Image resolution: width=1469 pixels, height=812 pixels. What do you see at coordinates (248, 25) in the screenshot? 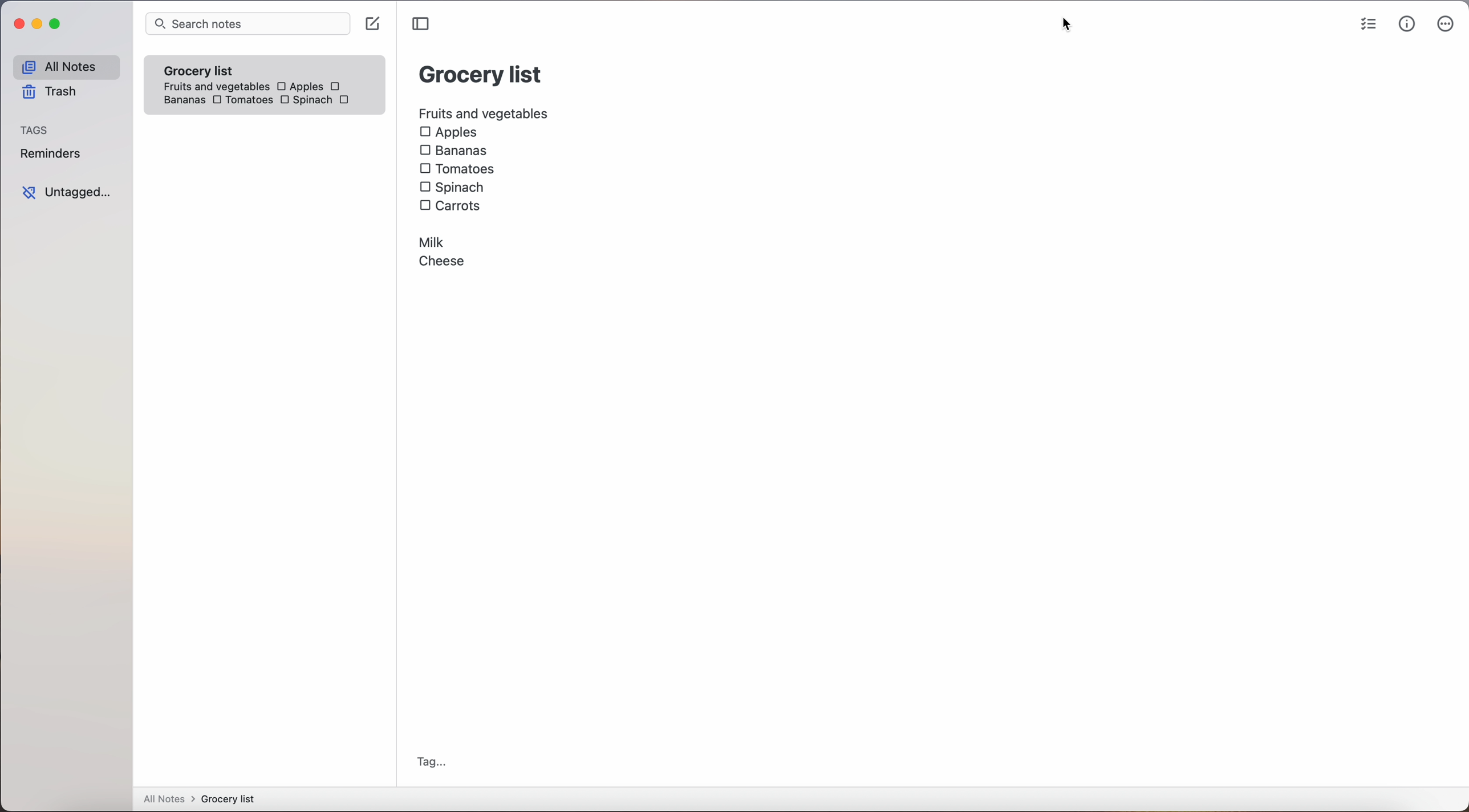
I see `search notes` at bounding box center [248, 25].